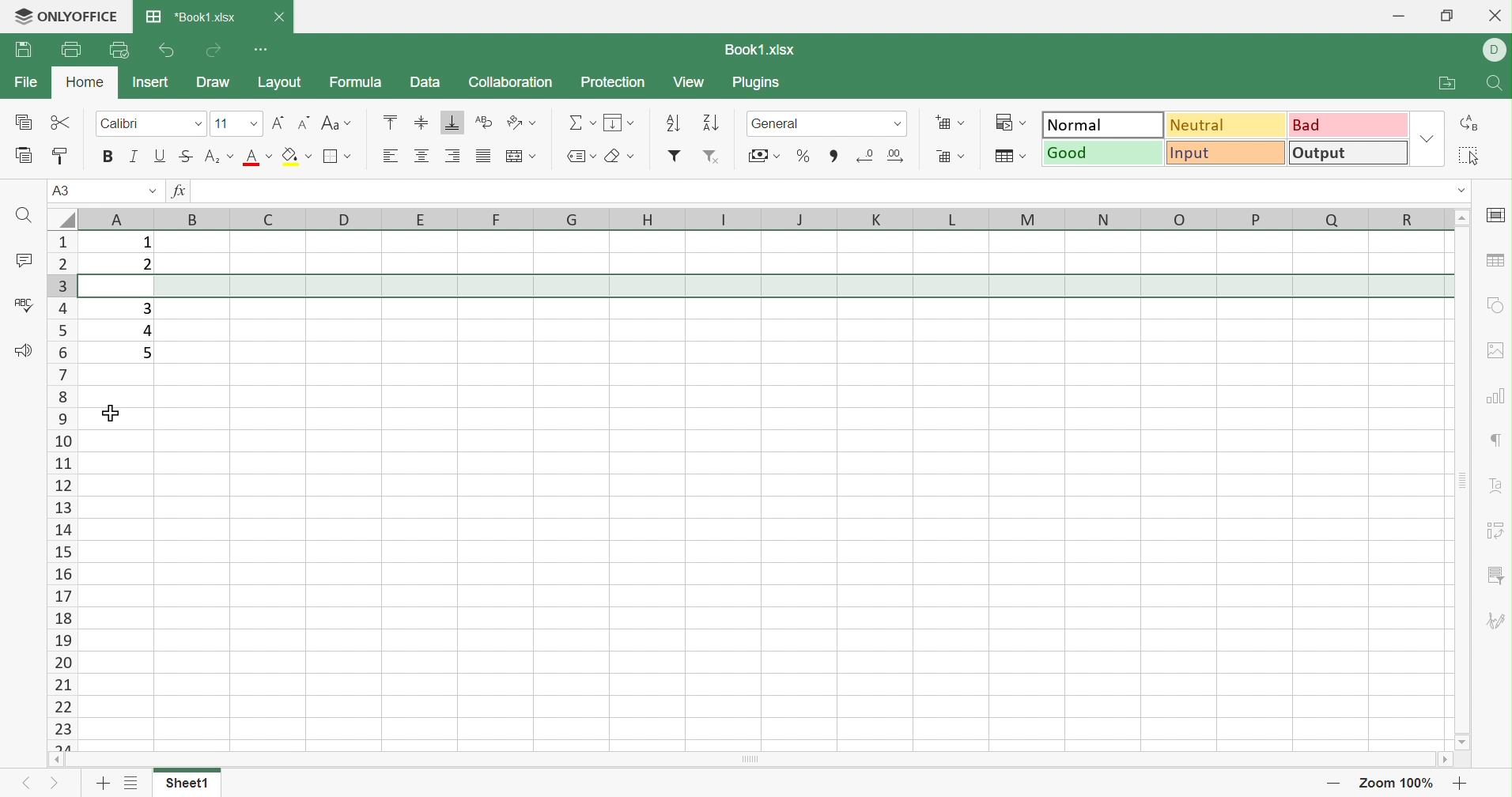 The height and width of the screenshot is (797, 1512). What do you see at coordinates (193, 17) in the screenshot?
I see `*Book1.xlsx` at bounding box center [193, 17].